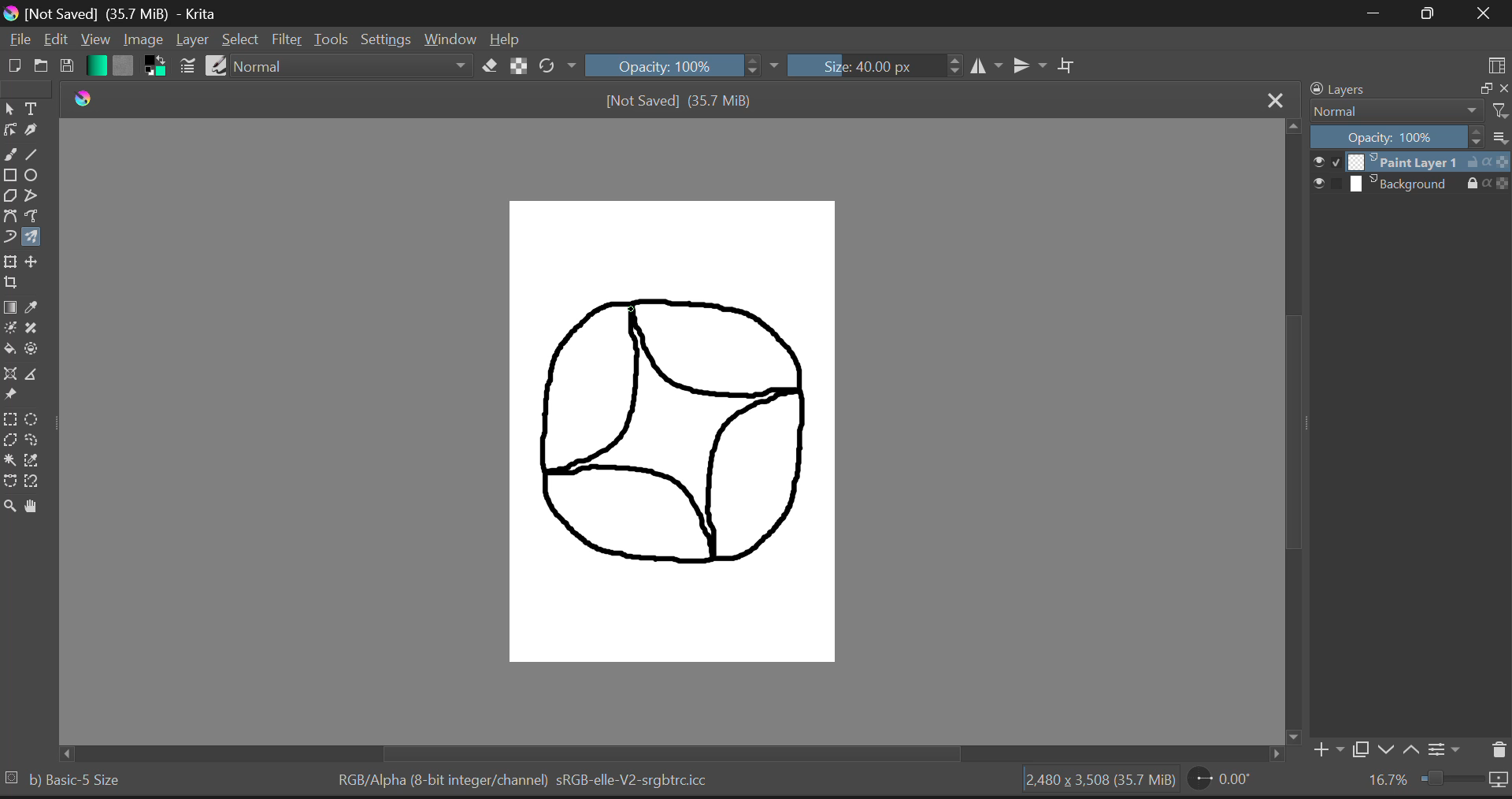 This screenshot has height=799, width=1512. I want to click on Opacity 100%, so click(1395, 138).